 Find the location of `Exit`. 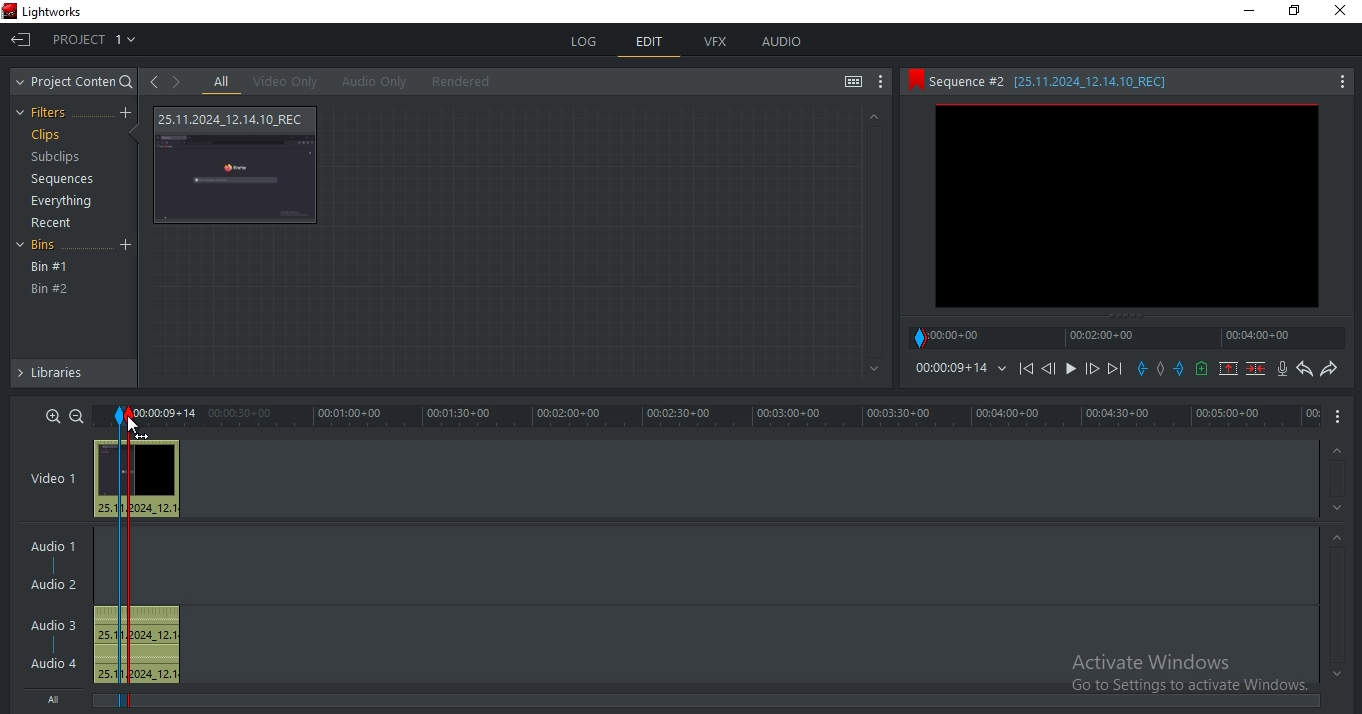

Exit is located at coordinates (21, 38).